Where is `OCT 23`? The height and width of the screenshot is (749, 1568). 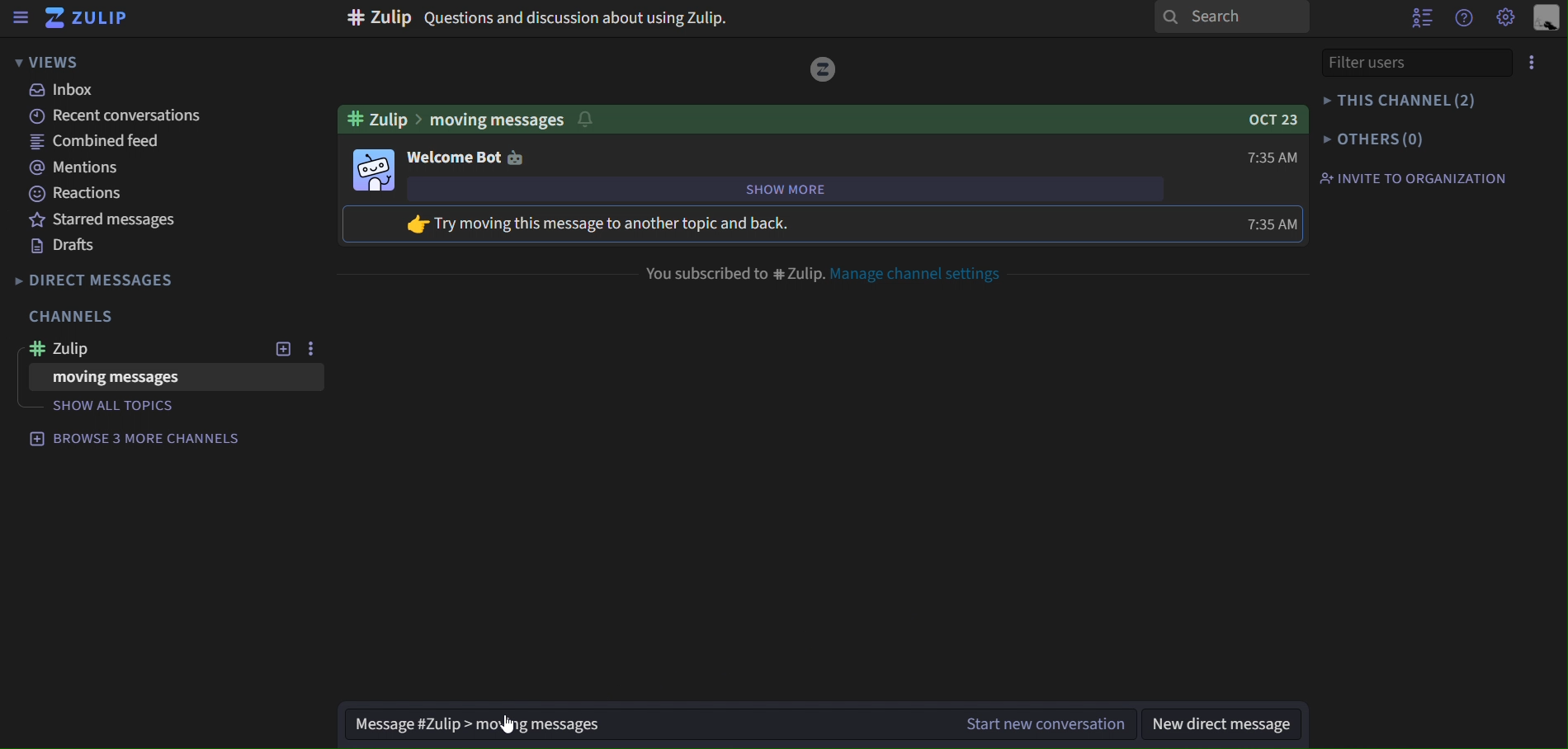 OCT 23 is located at coordinates (1267, 117).